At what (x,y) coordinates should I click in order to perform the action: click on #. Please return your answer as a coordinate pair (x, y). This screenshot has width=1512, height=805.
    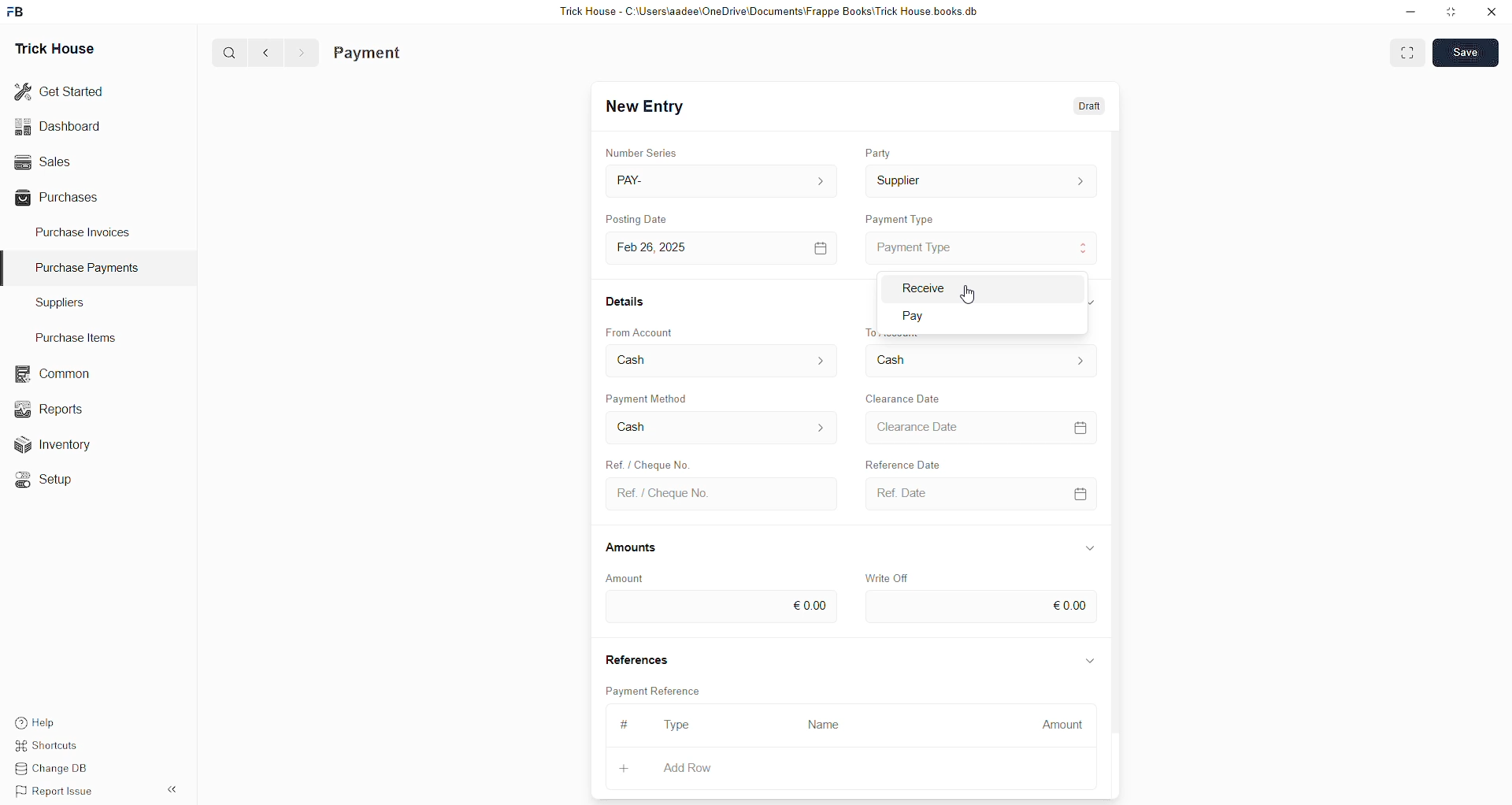
    Looking at the image, I should click on (628, 724).